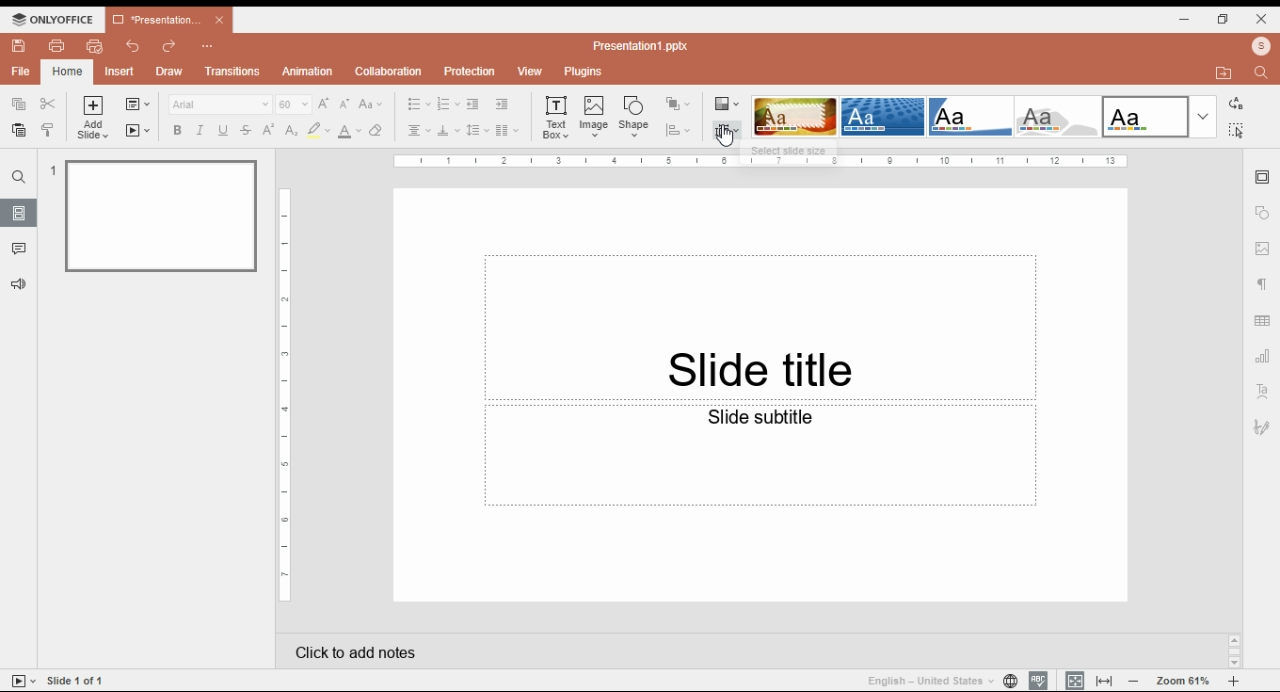 The width and height of the screenshot is (1280, 692). What do you see at coordinates (1262, 18) in the screenshot?
I see `close` at bounding box center [1262, 18].